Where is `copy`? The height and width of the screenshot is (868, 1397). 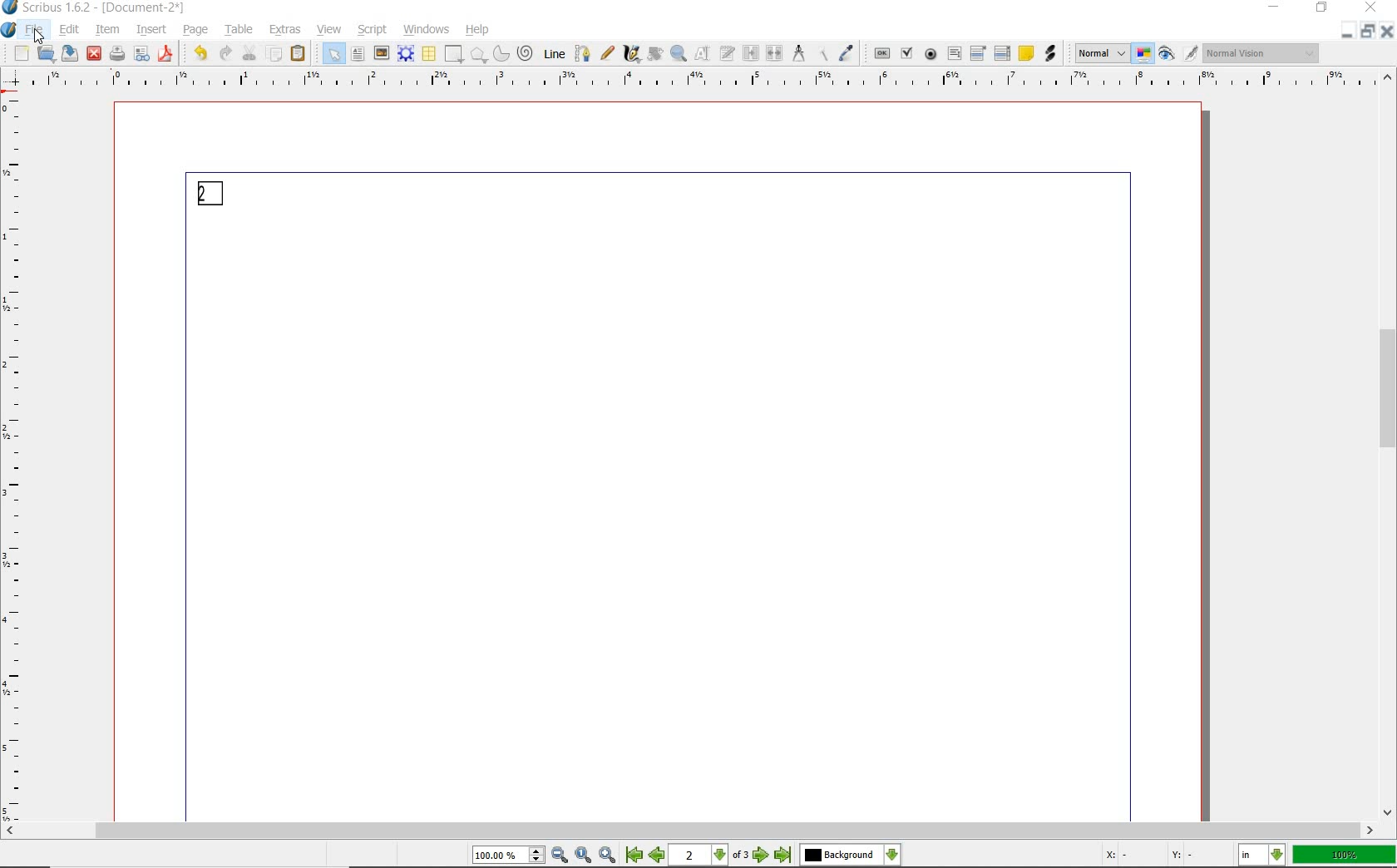 copy is located at coordinates (274, 55).